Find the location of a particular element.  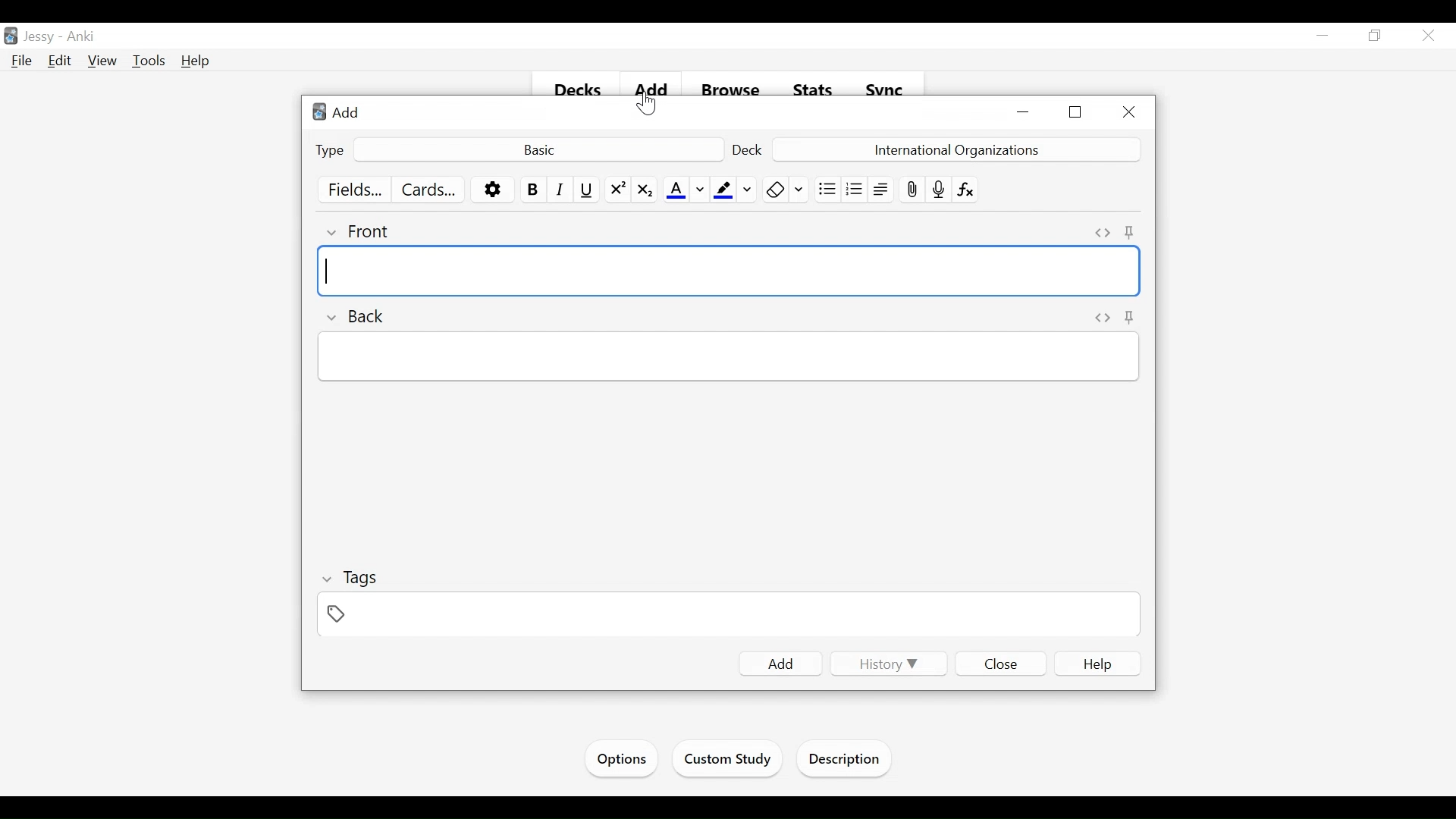

Basic is located at coordinates (540, 149).